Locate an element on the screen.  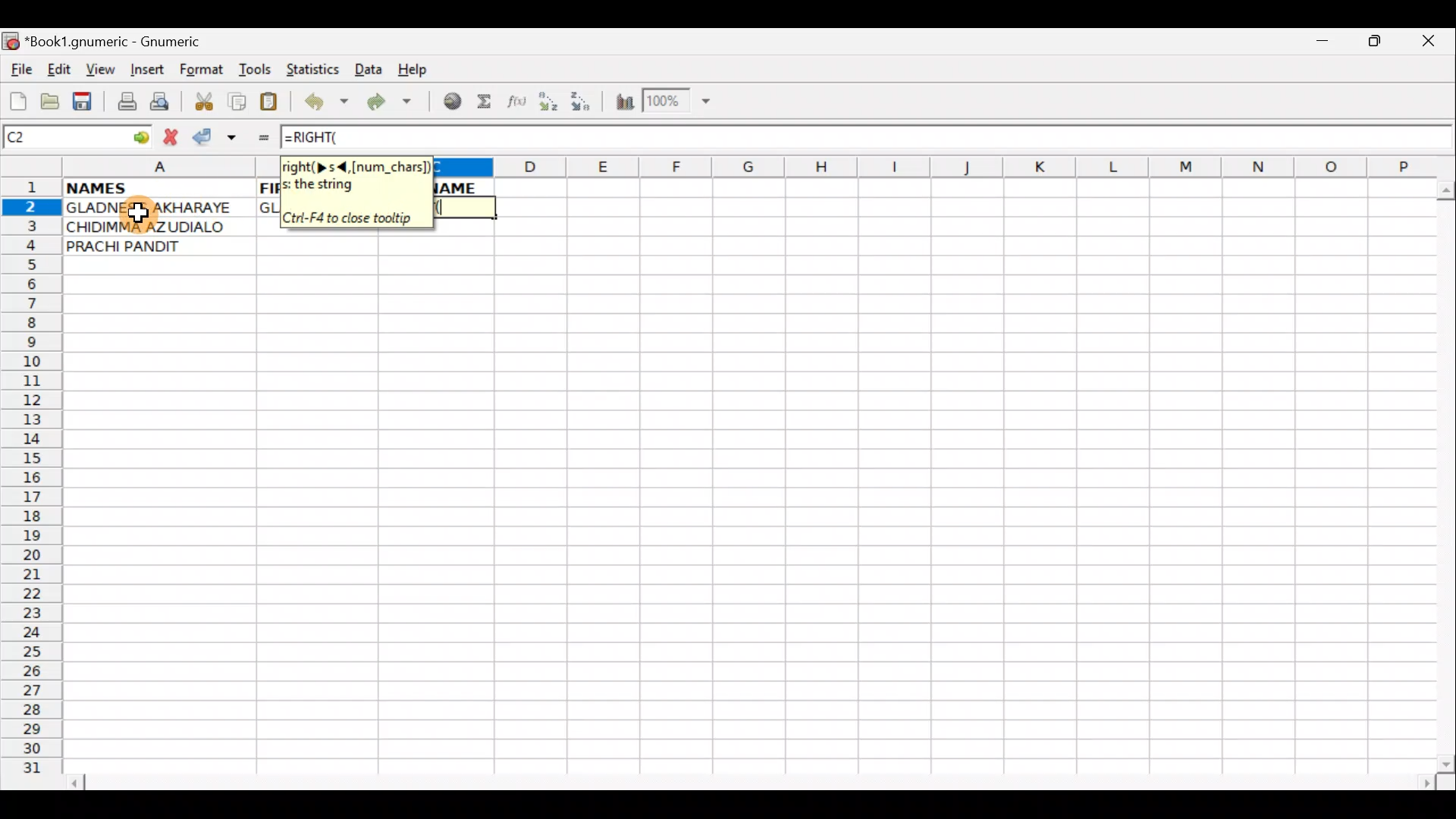
Enter formula is located at coordinates (256, 137).